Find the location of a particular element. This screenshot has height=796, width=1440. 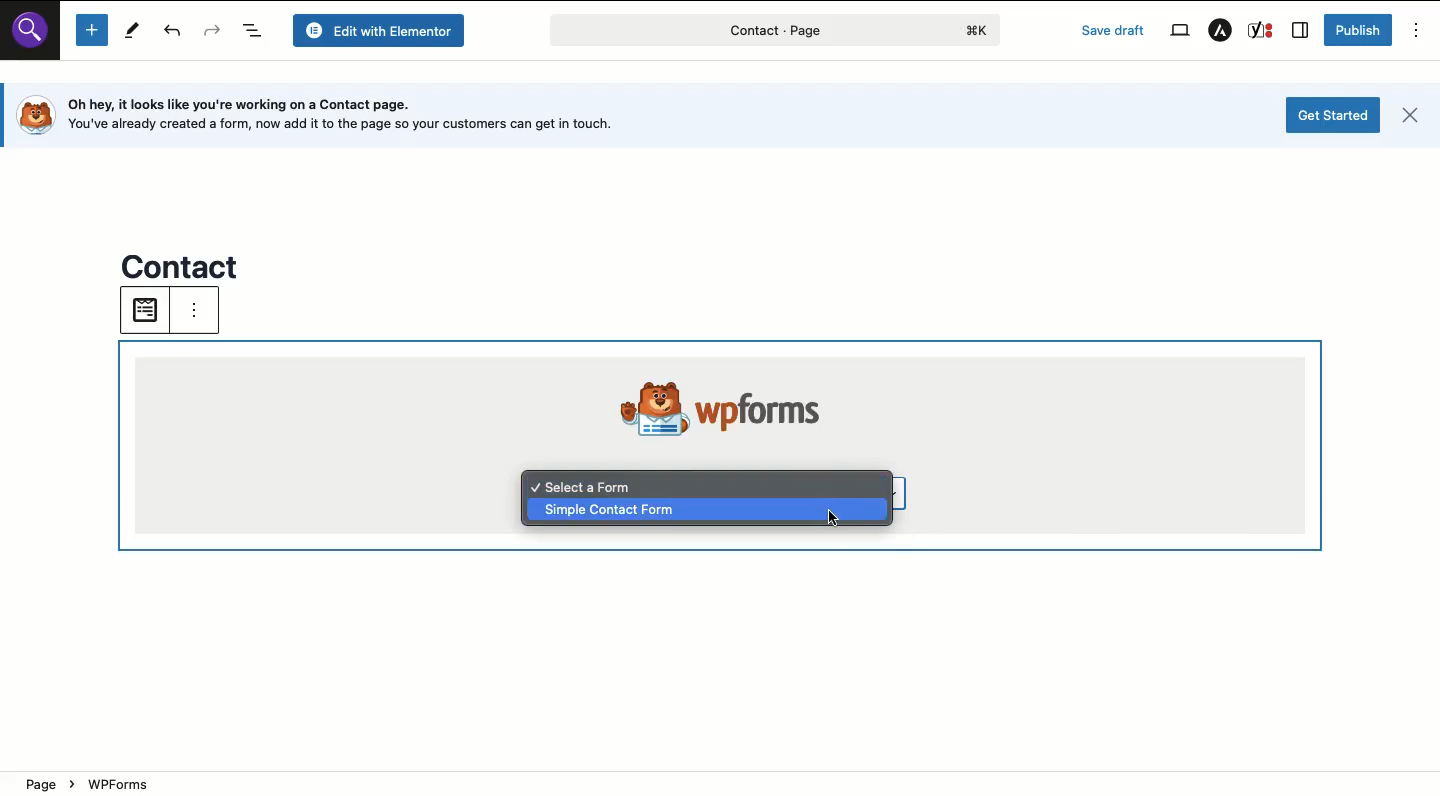

Edit with elementor is located at coordinates (382, 30).